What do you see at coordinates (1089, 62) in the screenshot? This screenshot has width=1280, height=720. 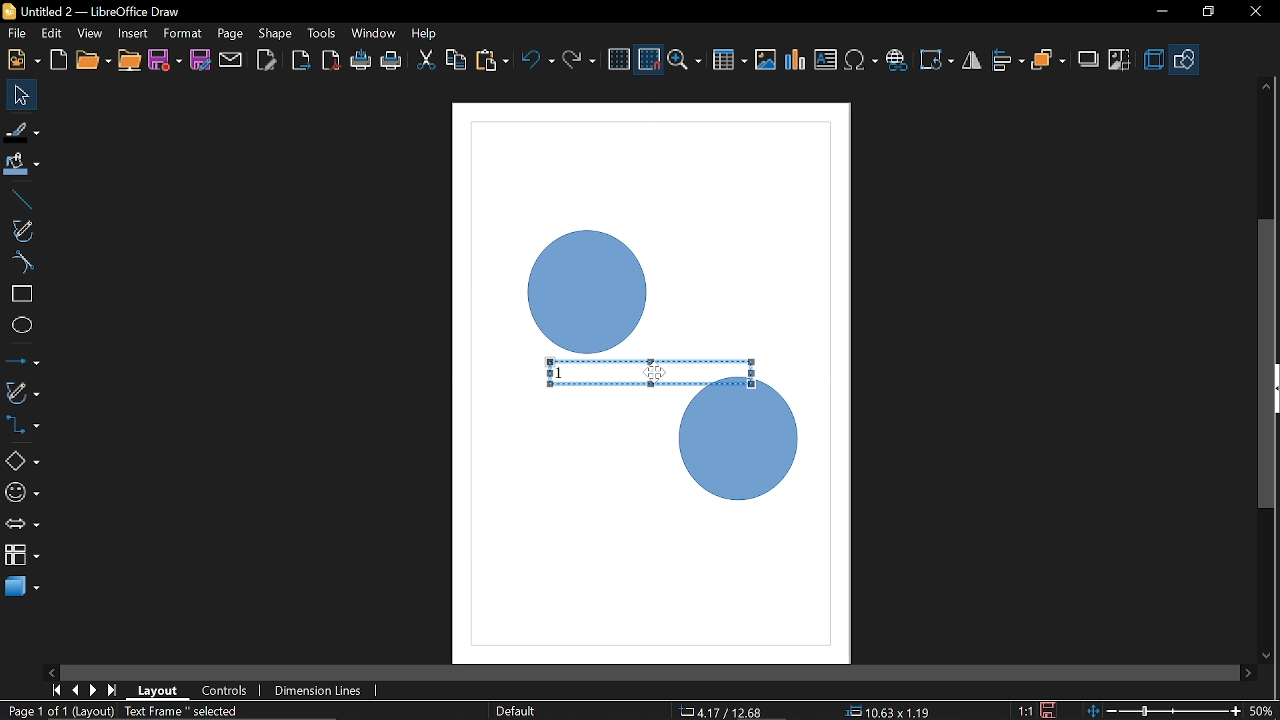 I see `Shadow` at bounding box center [1089, 62].